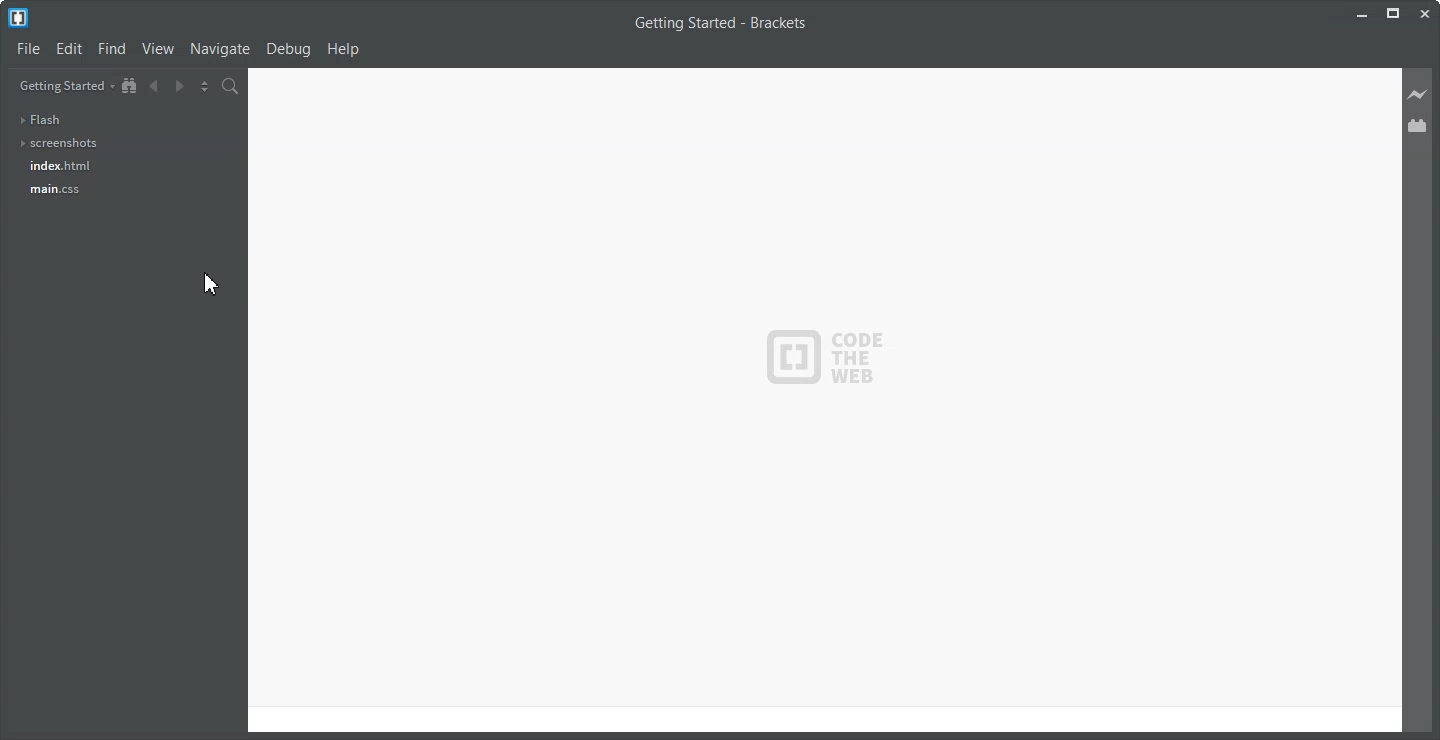 Image resolution: width=1440 pixels, height=740 pixels. What do you see at coordinates (1418, 125) in the screenshot?
I see `Extension Manager` at bounding box center [1418, 125].